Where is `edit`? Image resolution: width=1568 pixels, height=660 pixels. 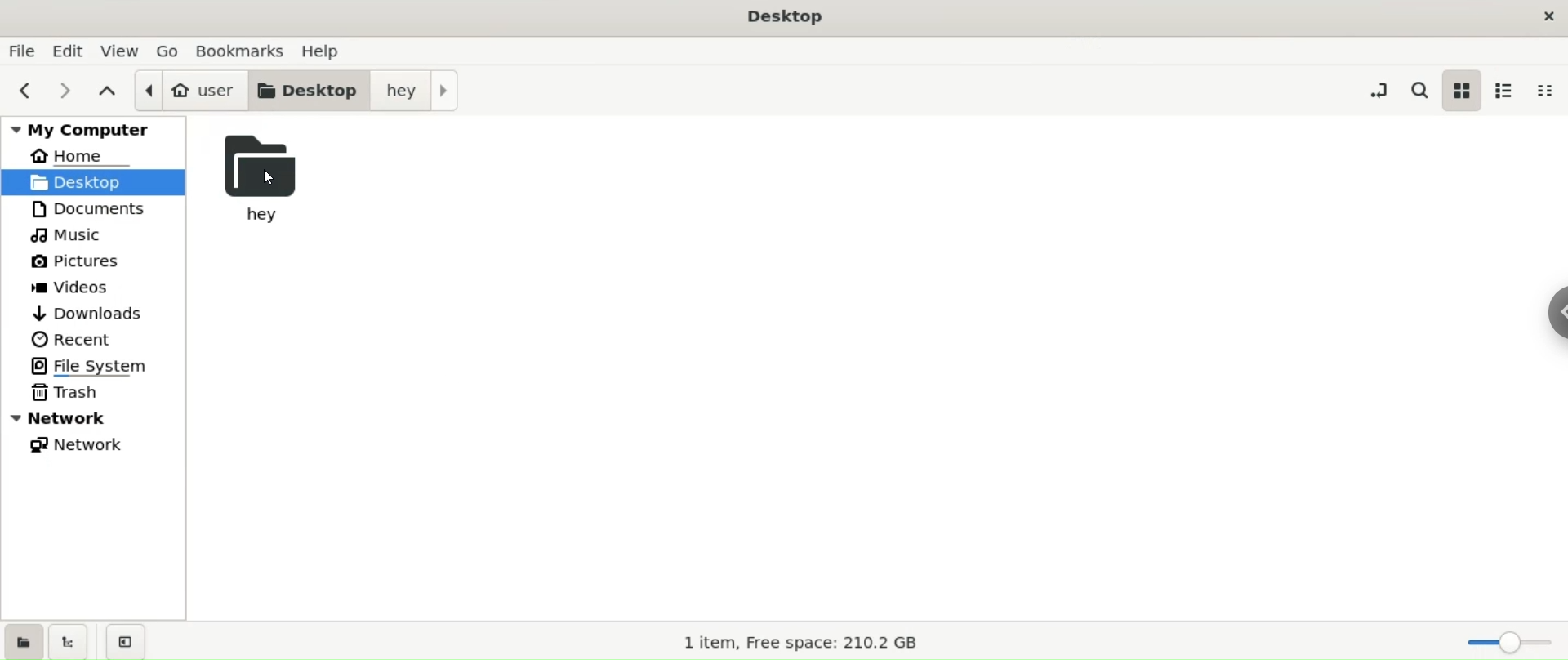
edit is located at coordinates (66, 51).